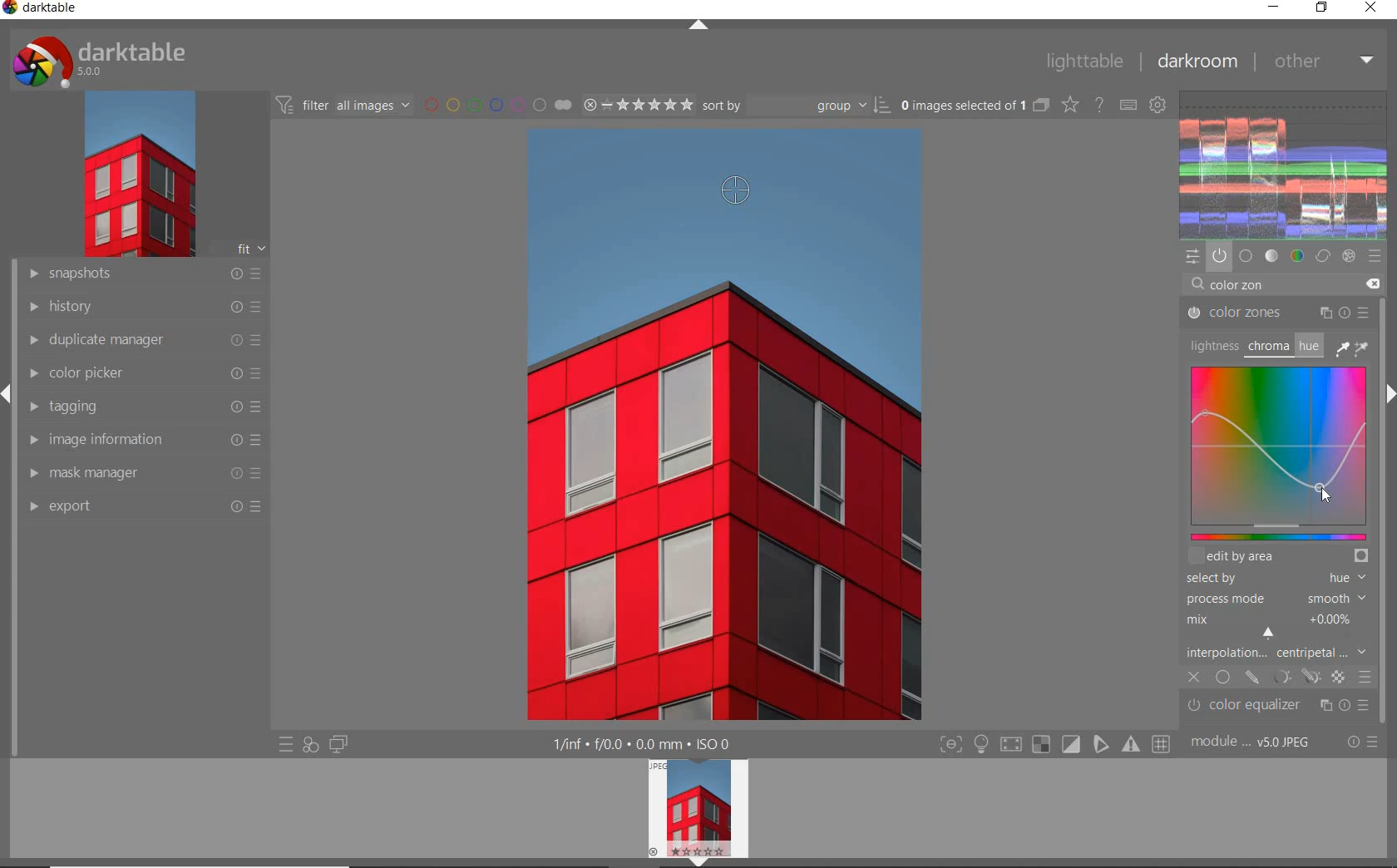 The width and height of the screenshot is (1397, 868). Describe the element at coordinates (1222, 678) in the screenshot. I see `UNIFORMLY` at that location.